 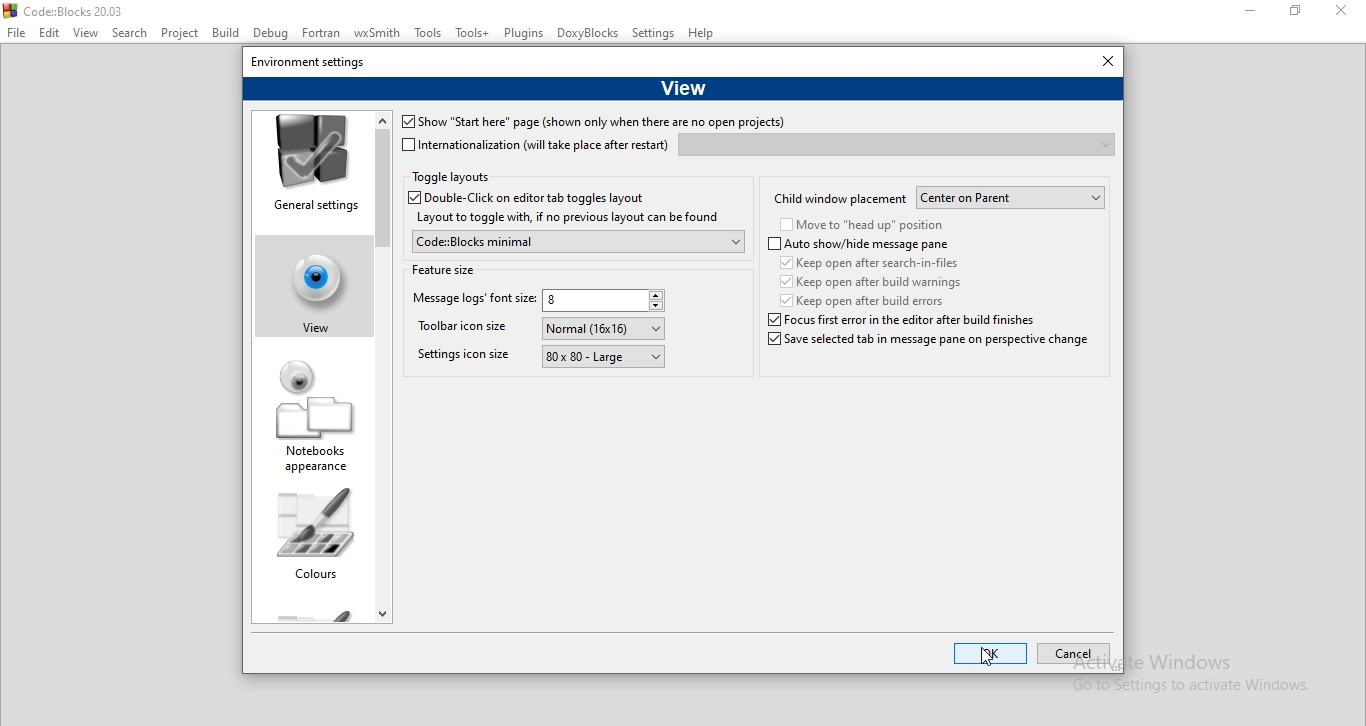 What do you see at coordinates (541, 198) in the screenshot?
I see `Double-Click on editor tab toggles layout` at bounding box center [541, 198].